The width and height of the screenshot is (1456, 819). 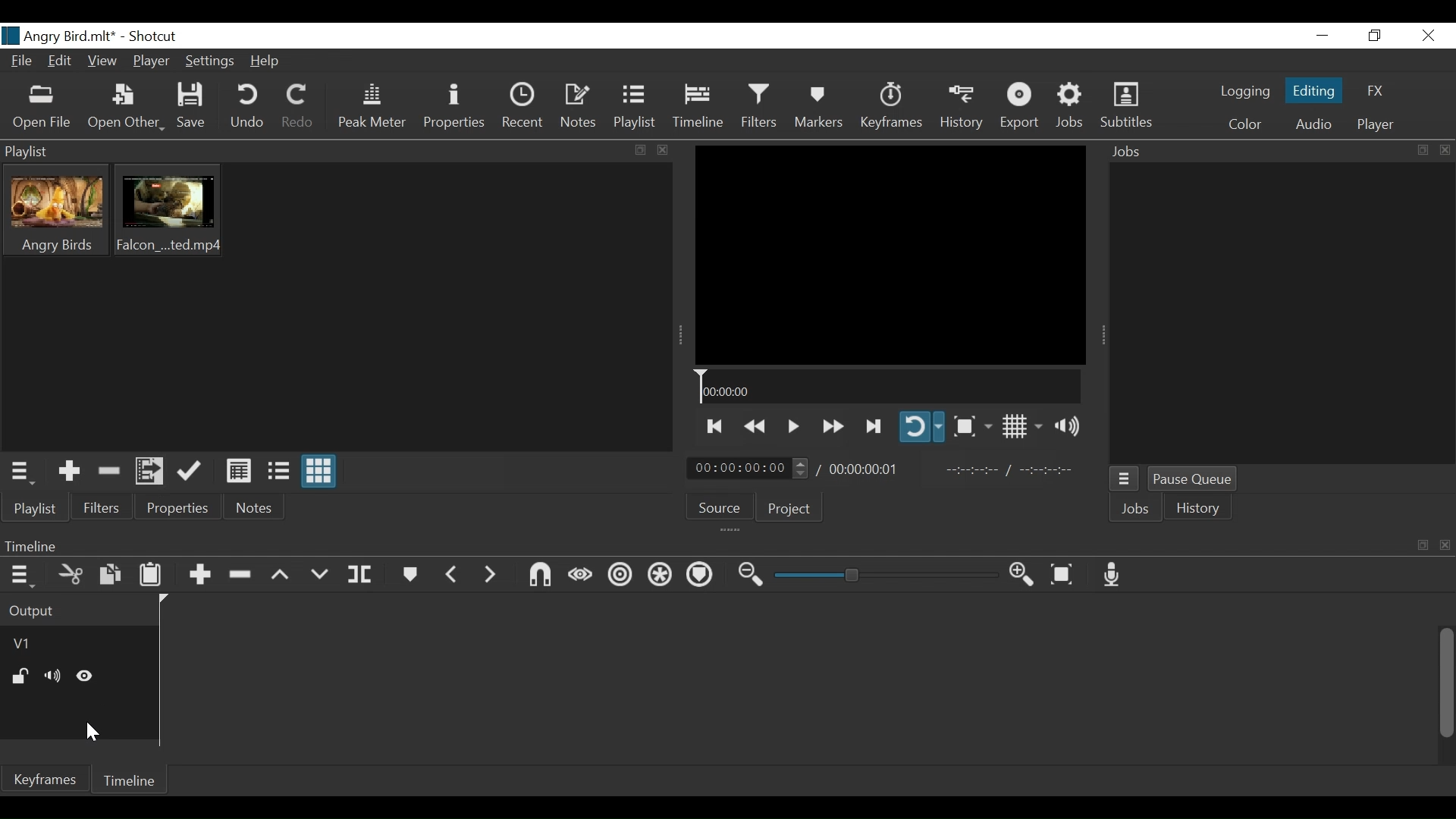 I want to click on , so click(x=1313, y=125).